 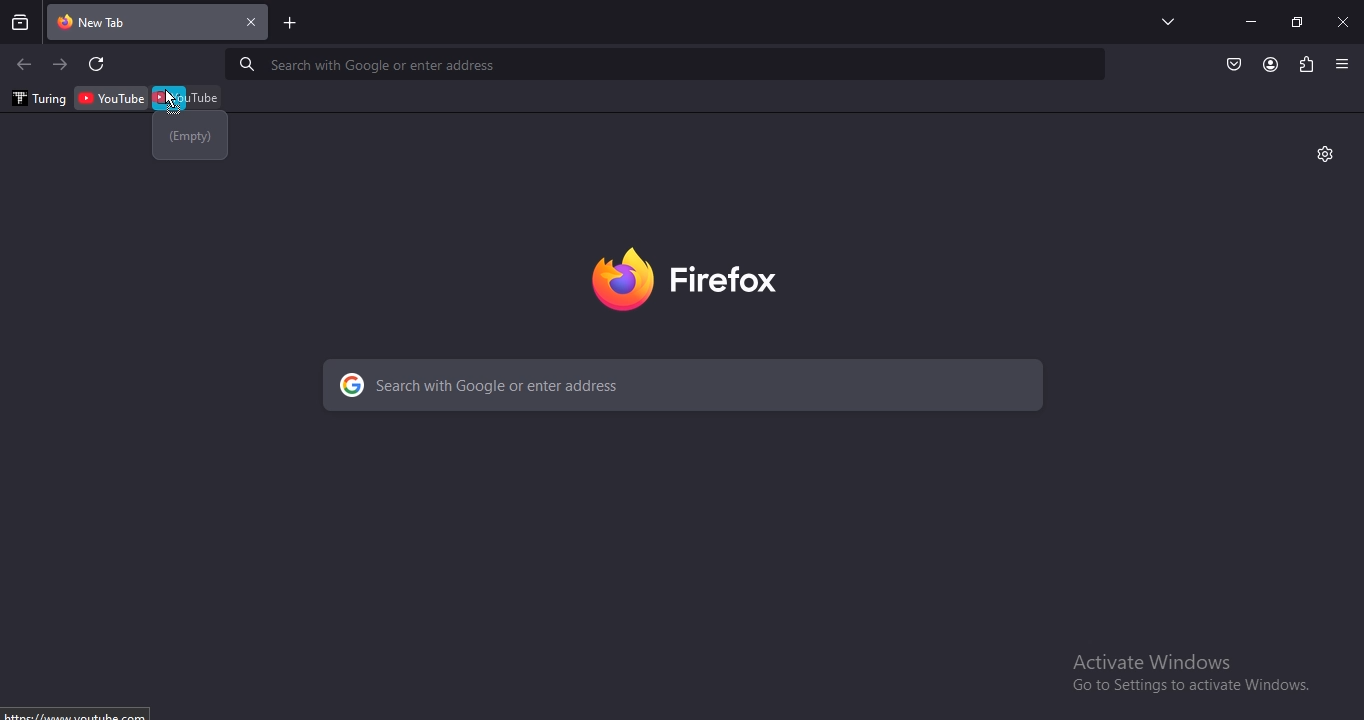 What do you see at coordinates (1345, 21) in the screenshot?
I see `close` at bounding box center [1345, 21].